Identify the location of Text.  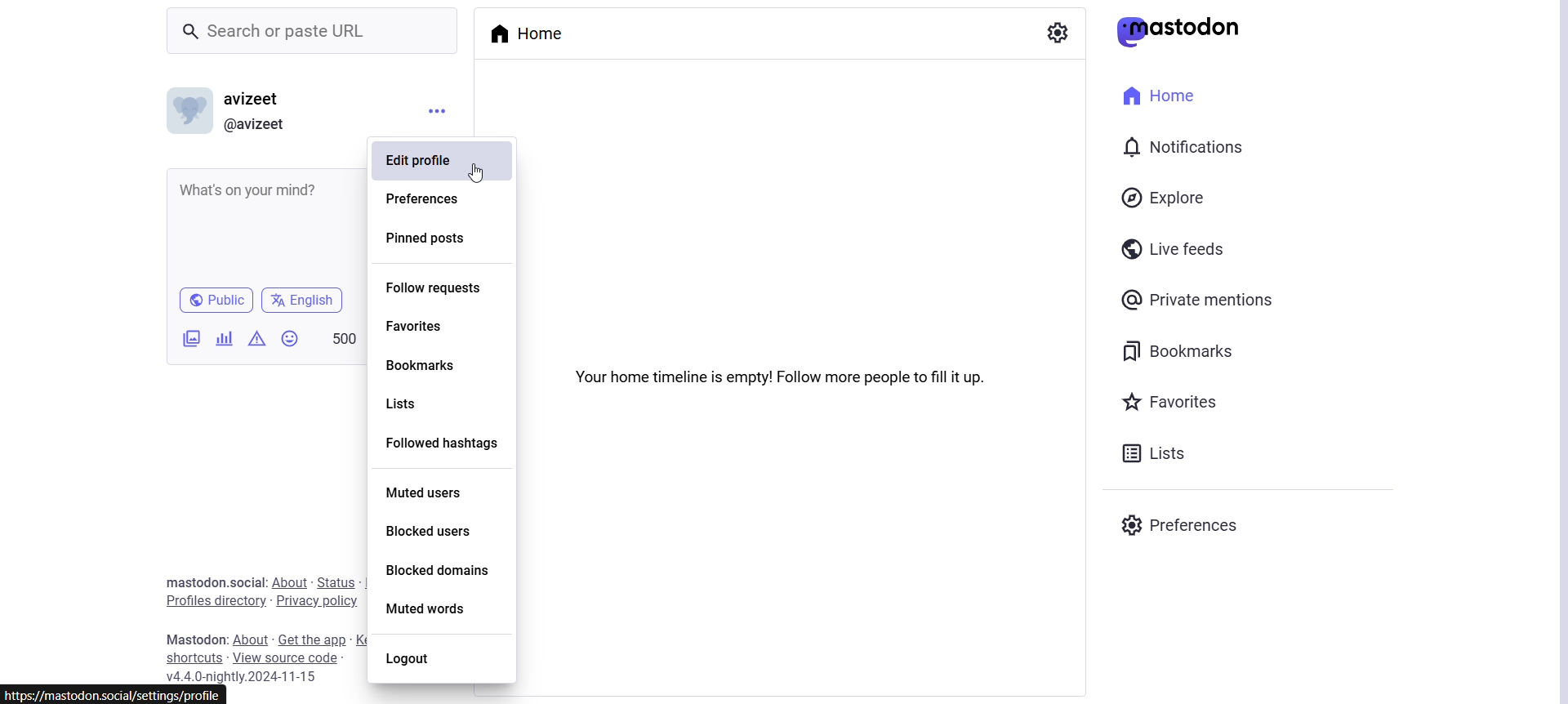
(194, 639).